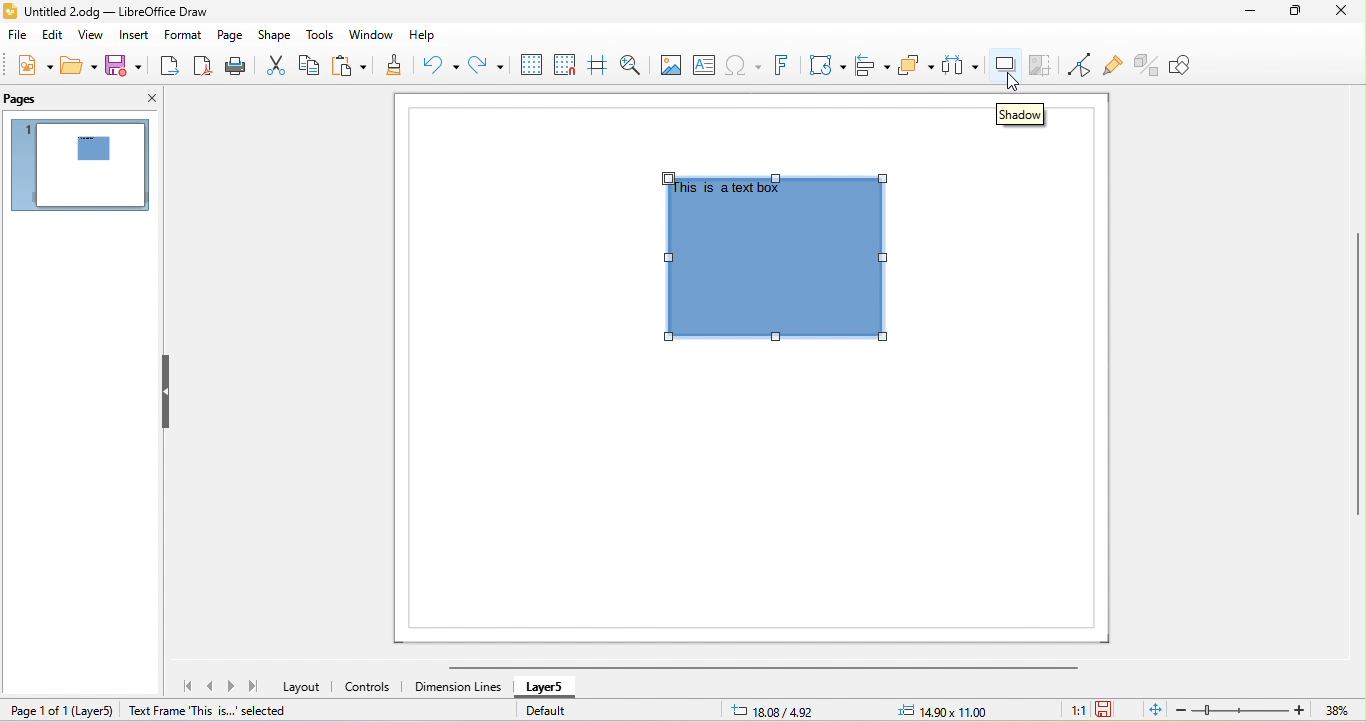 The width and height of the screenshot is (1366, 722). What do you see at coordinates (322, 36) in the screenshot?
I see `tools` at bounding box center [322, 36].